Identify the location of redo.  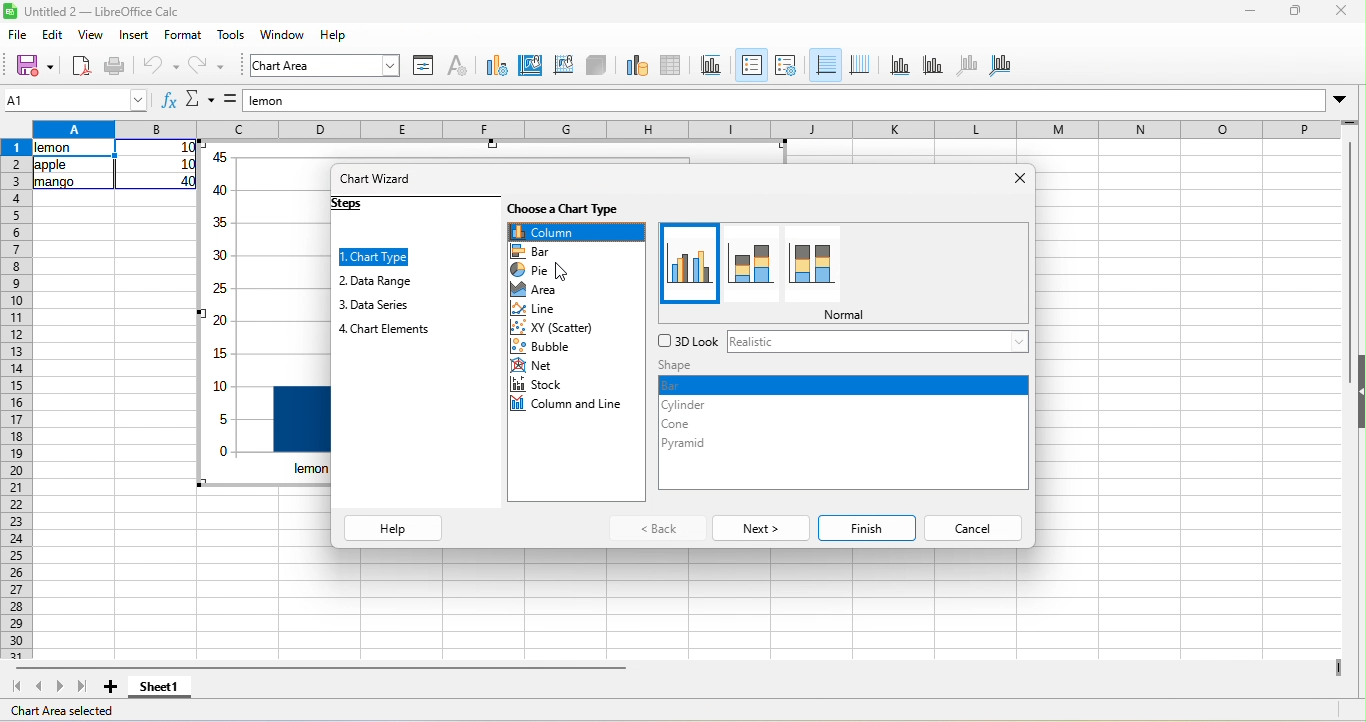
(203, 67).